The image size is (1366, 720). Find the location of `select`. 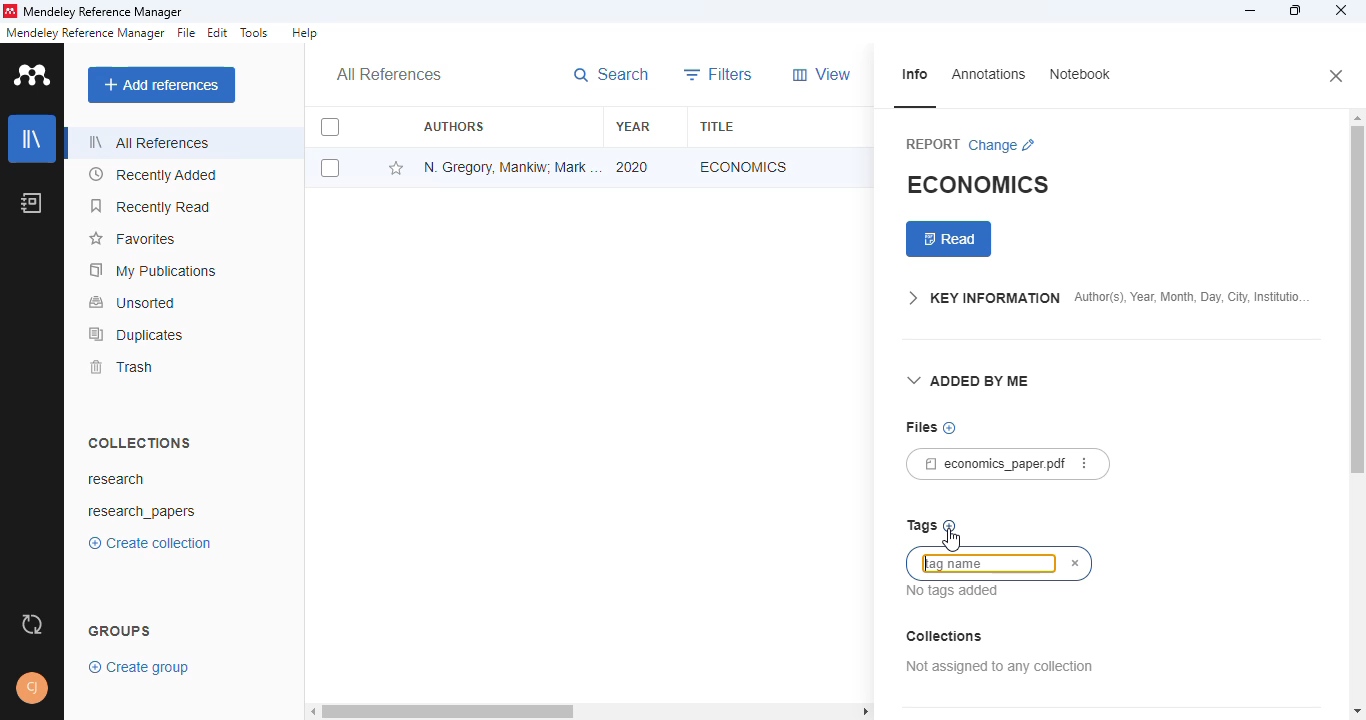

select is located at coordinates (330, 168).